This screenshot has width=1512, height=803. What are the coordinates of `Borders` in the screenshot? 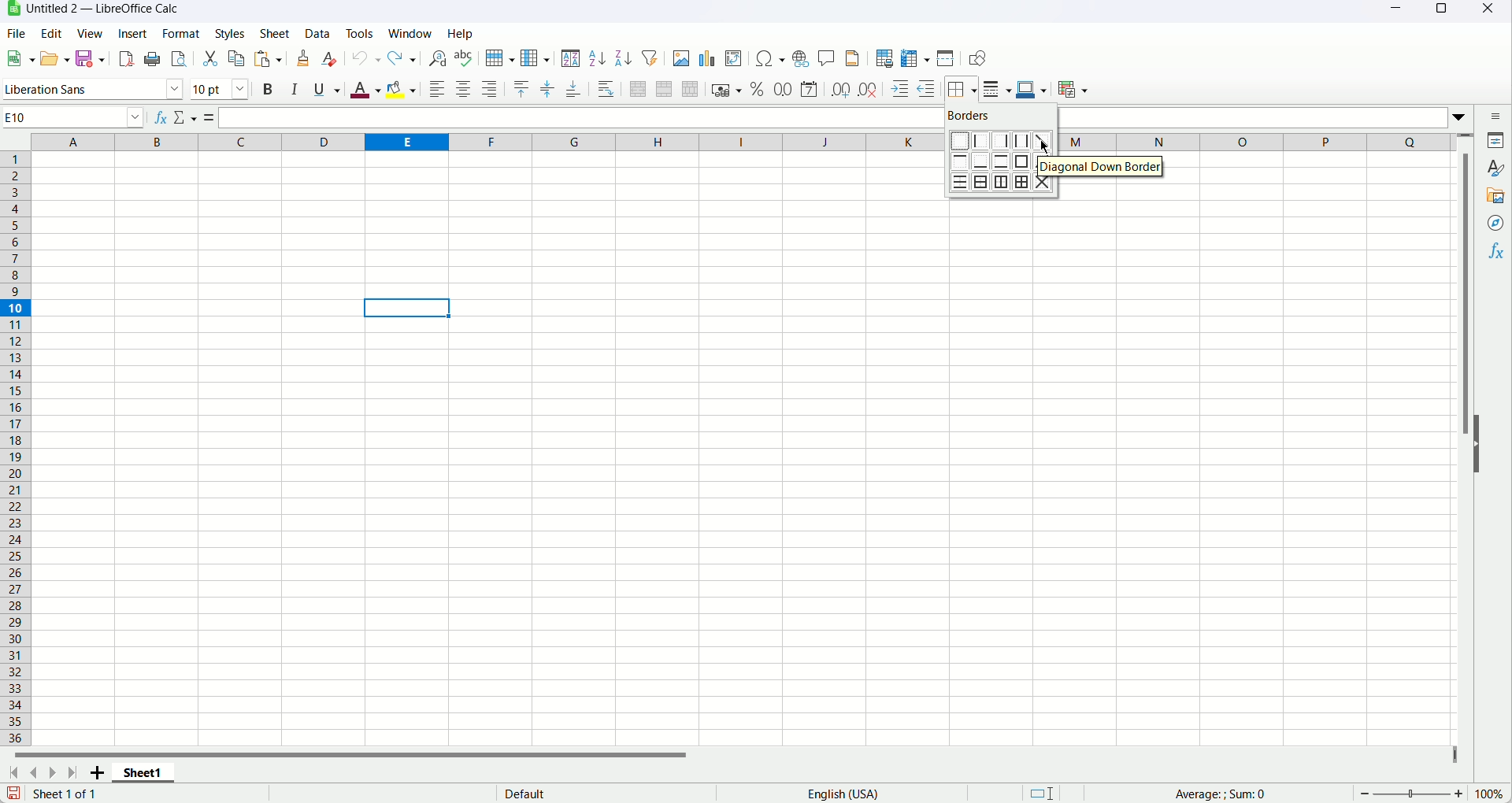 It's located at (960, 89).